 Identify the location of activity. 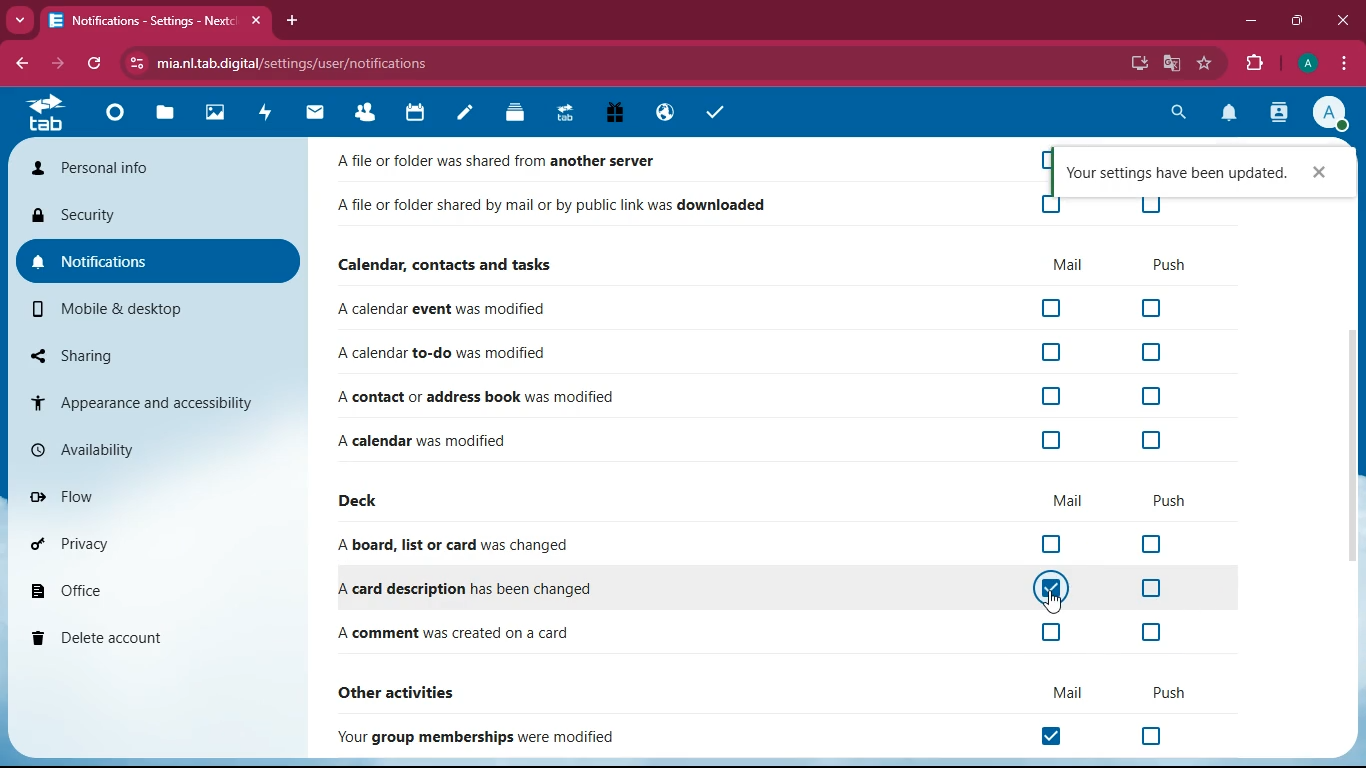
(1280, 112).